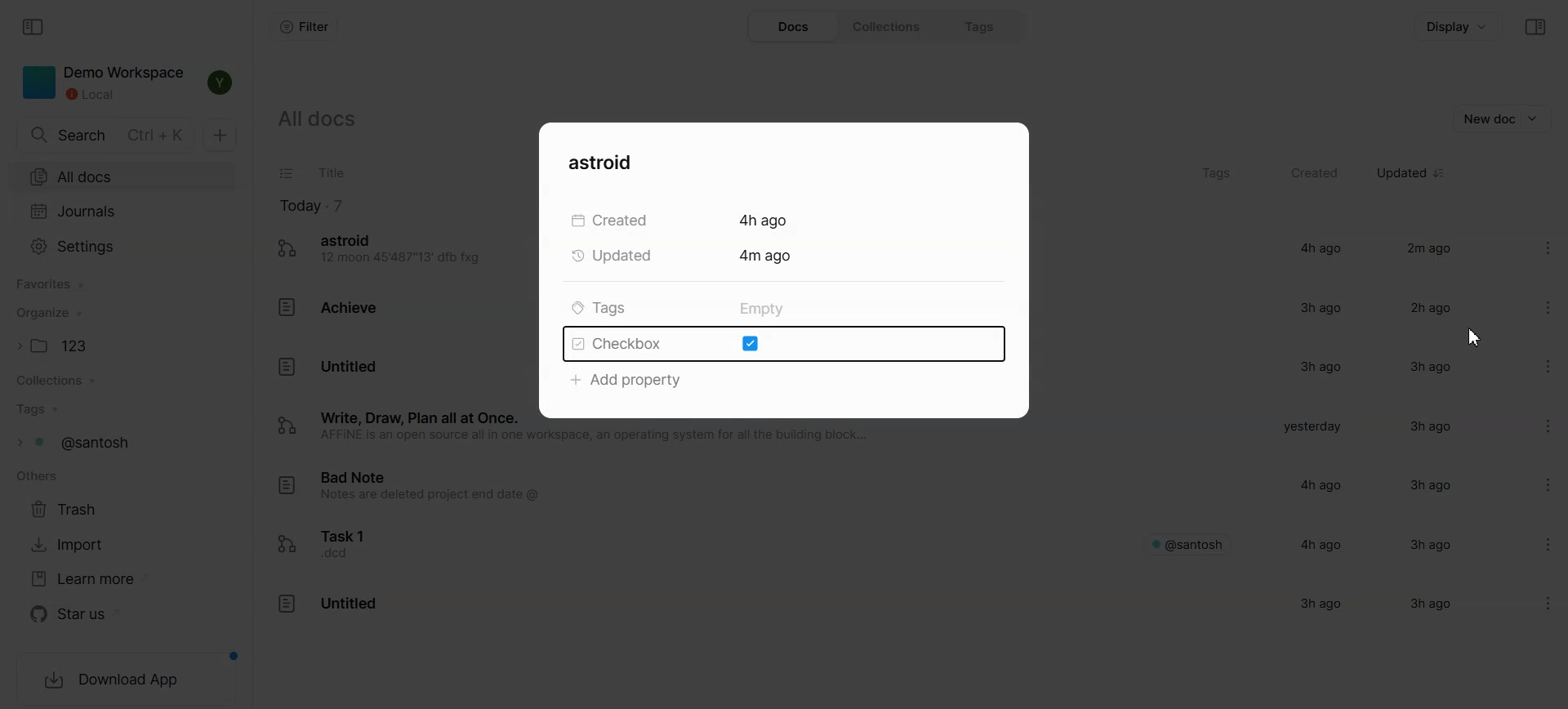  What do you see at coordinates (123, 314) in the screenshot?
I see `Organize` at bounding box center [123, 314].